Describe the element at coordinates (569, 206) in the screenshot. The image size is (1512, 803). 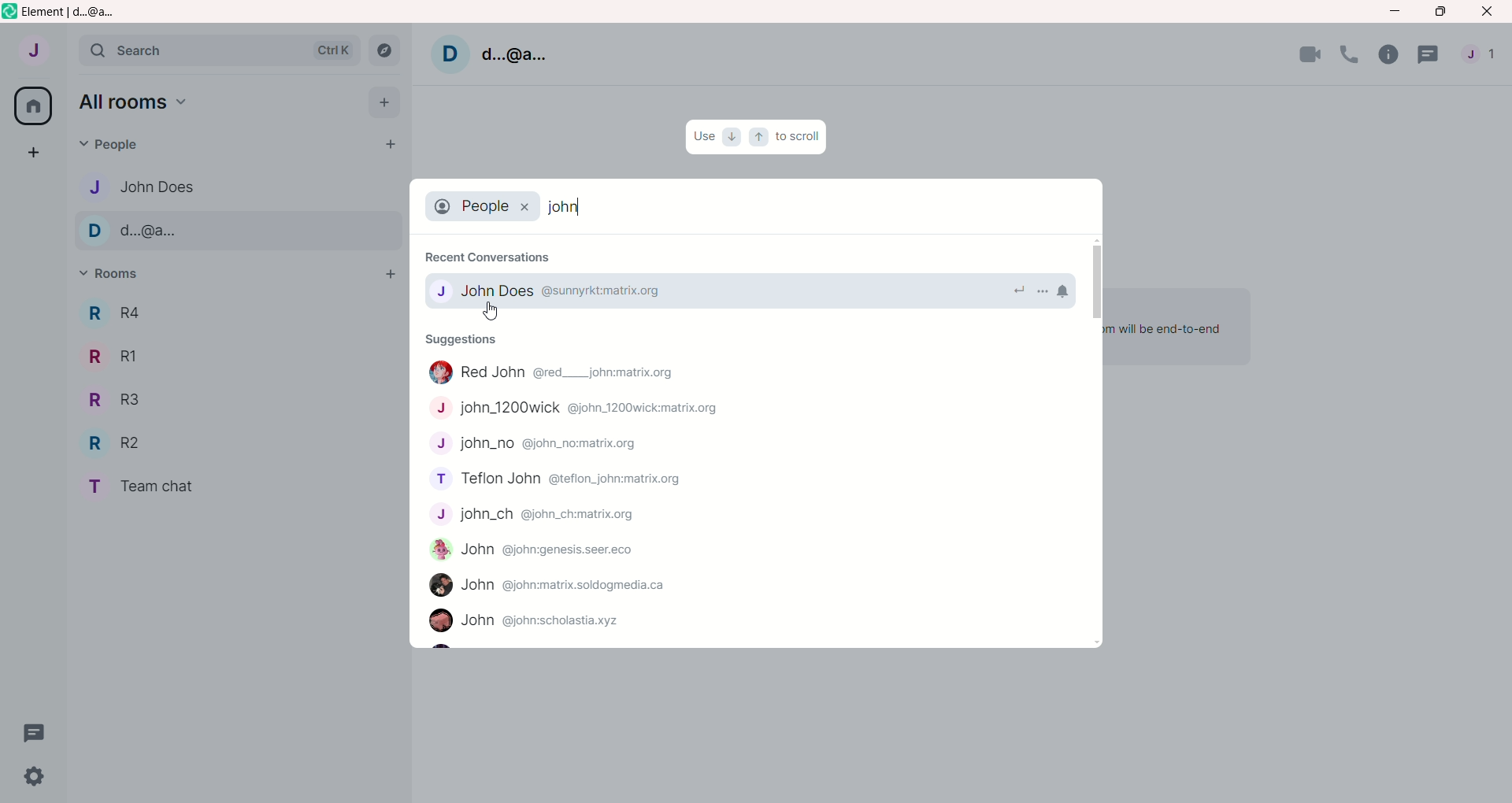
I see `john` at that location.